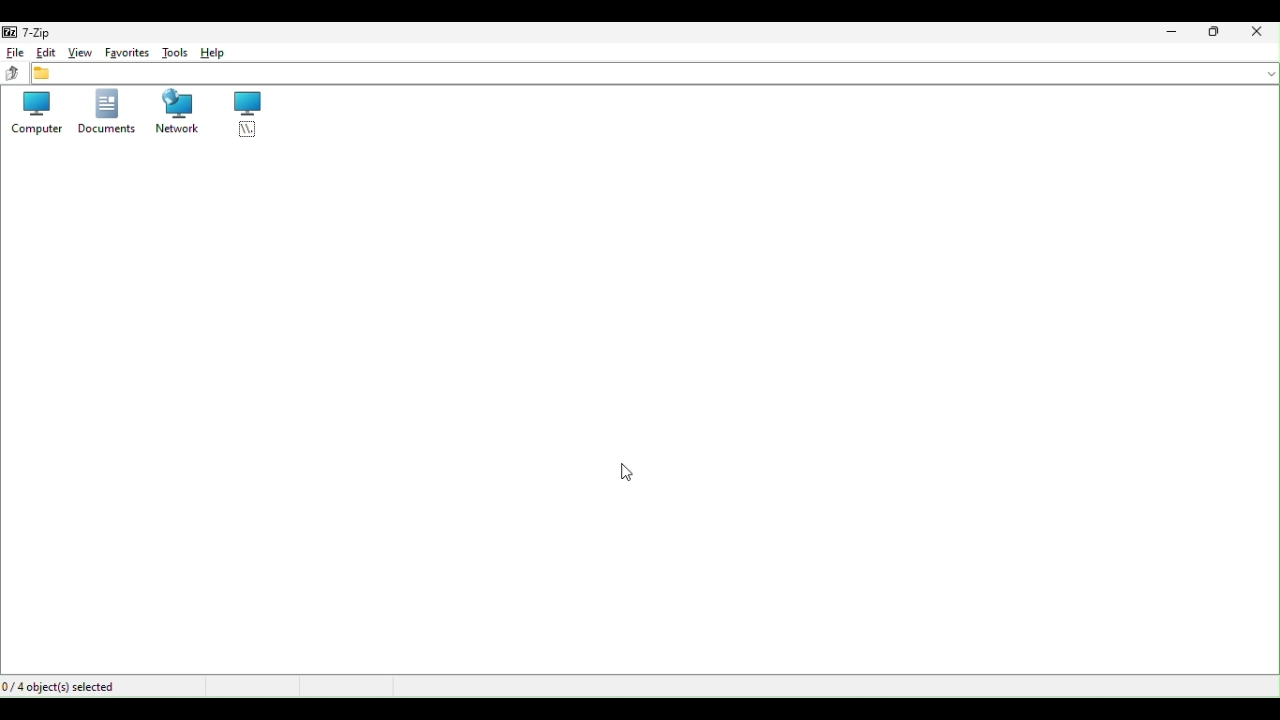  I want to click on Favourite, so click(125, 49).